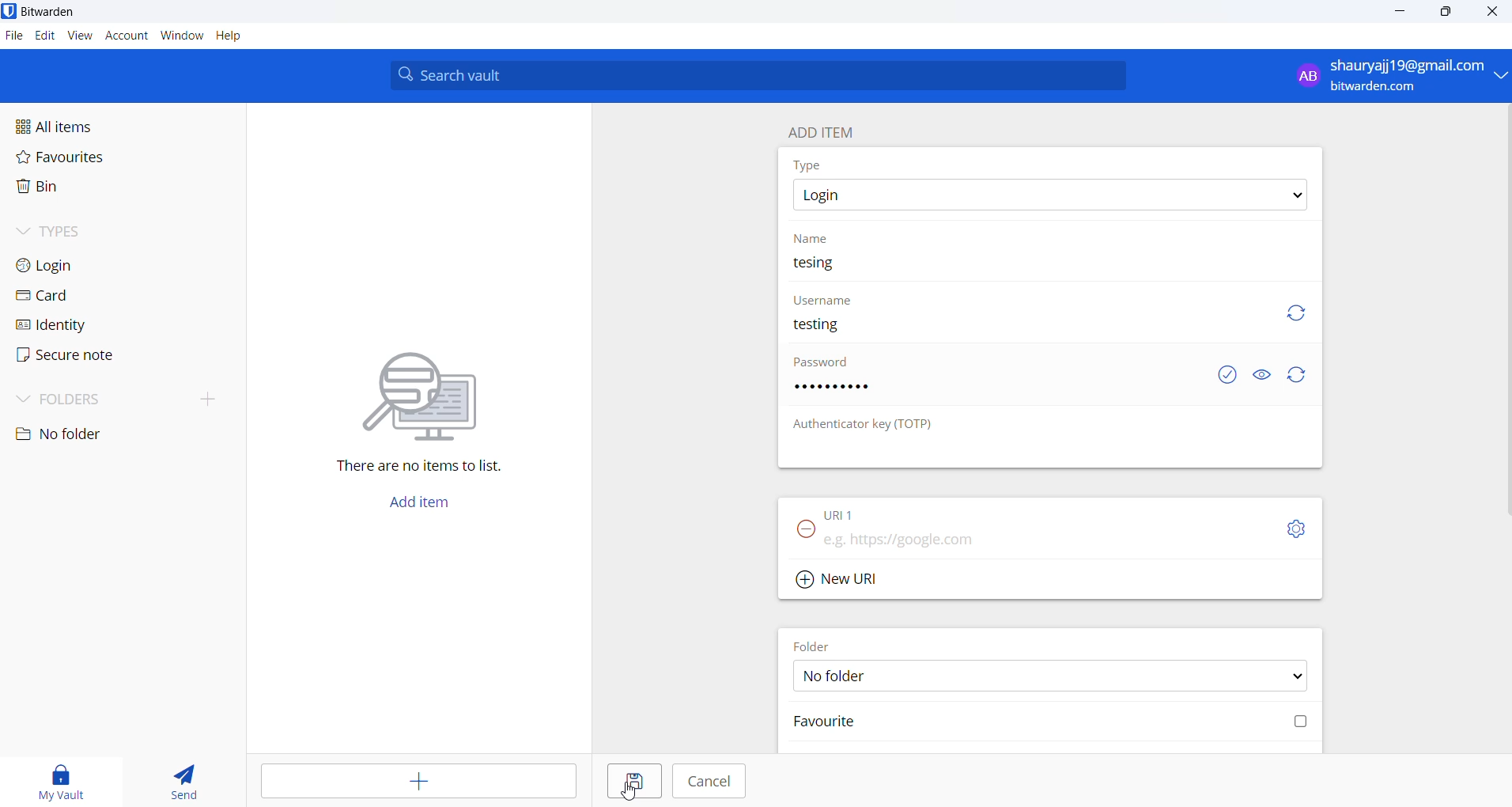  I want to click on secure note, so click(85, 358).